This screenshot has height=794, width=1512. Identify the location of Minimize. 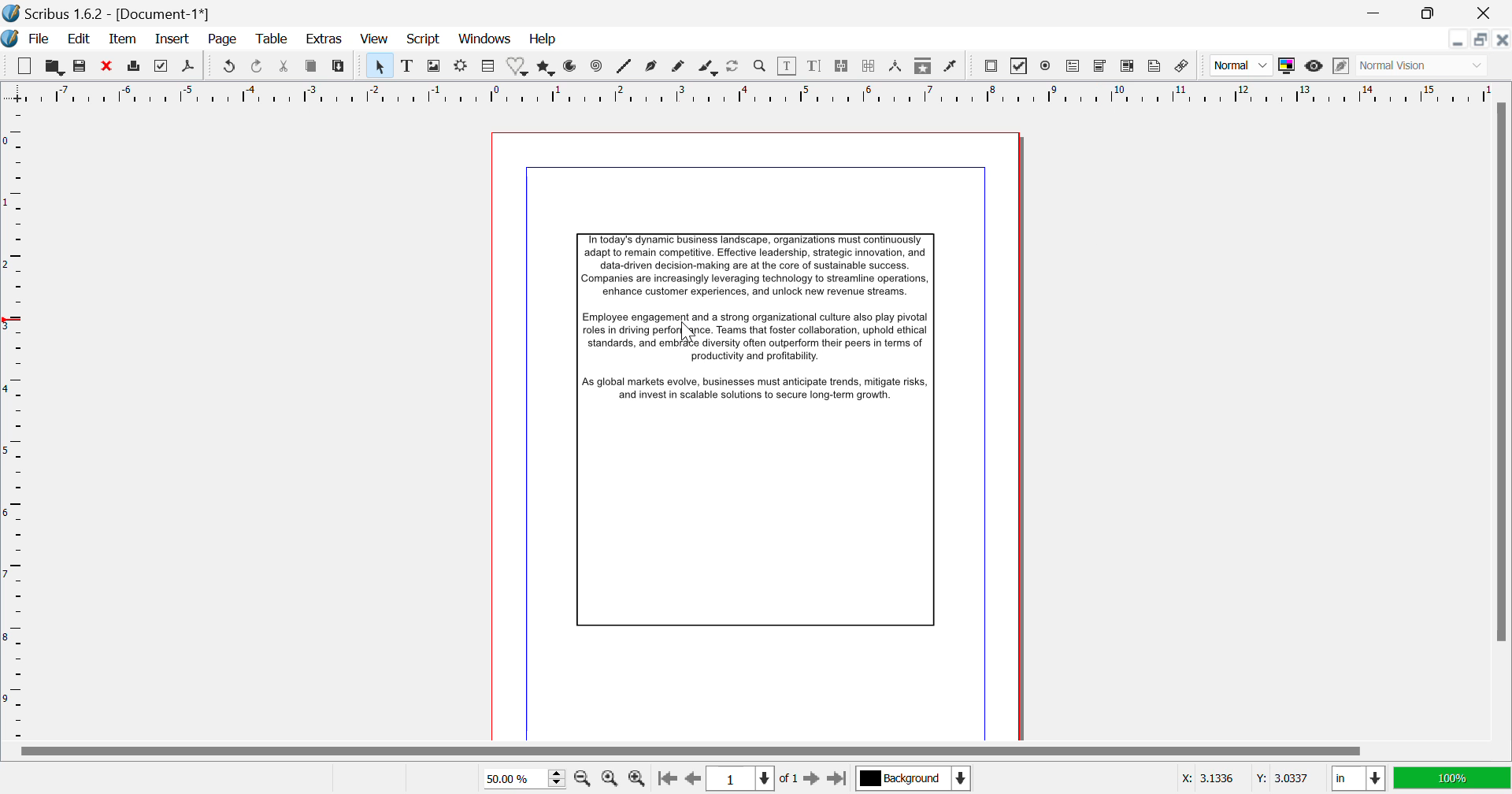
(1480, 40).